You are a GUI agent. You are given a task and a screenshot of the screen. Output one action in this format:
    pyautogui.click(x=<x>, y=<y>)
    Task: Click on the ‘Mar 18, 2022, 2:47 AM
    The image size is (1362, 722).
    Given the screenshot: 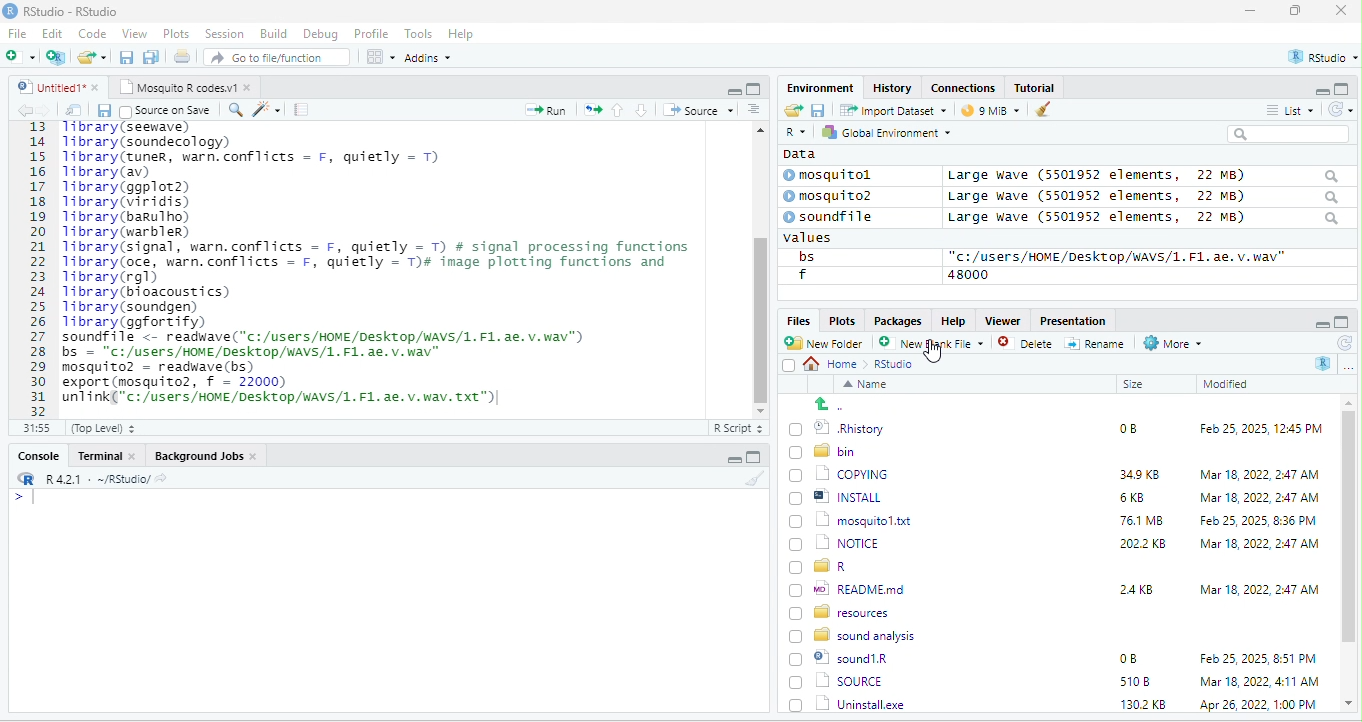 What is the action you would take?
    pyautogui.click(x=1258, y=544)
    